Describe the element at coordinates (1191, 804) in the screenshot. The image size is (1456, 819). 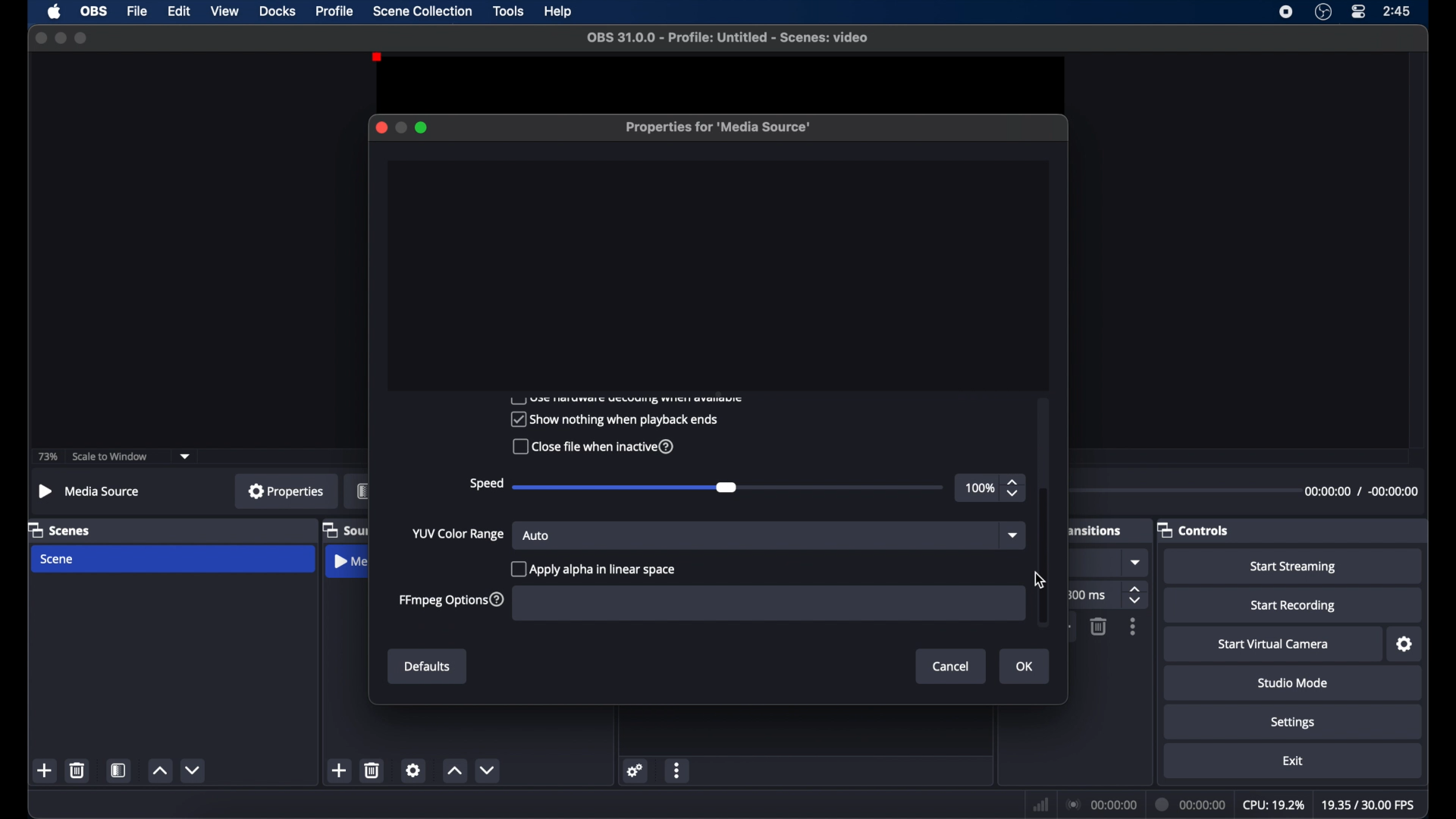
I see `duration` at that location.